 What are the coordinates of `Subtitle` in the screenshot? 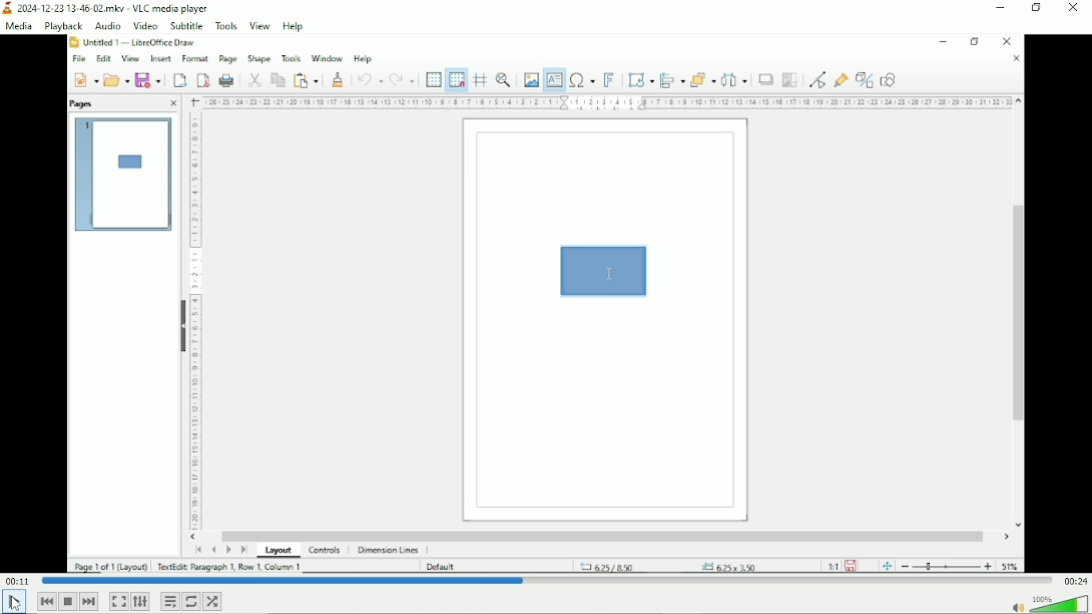 It's located at (185, 28).